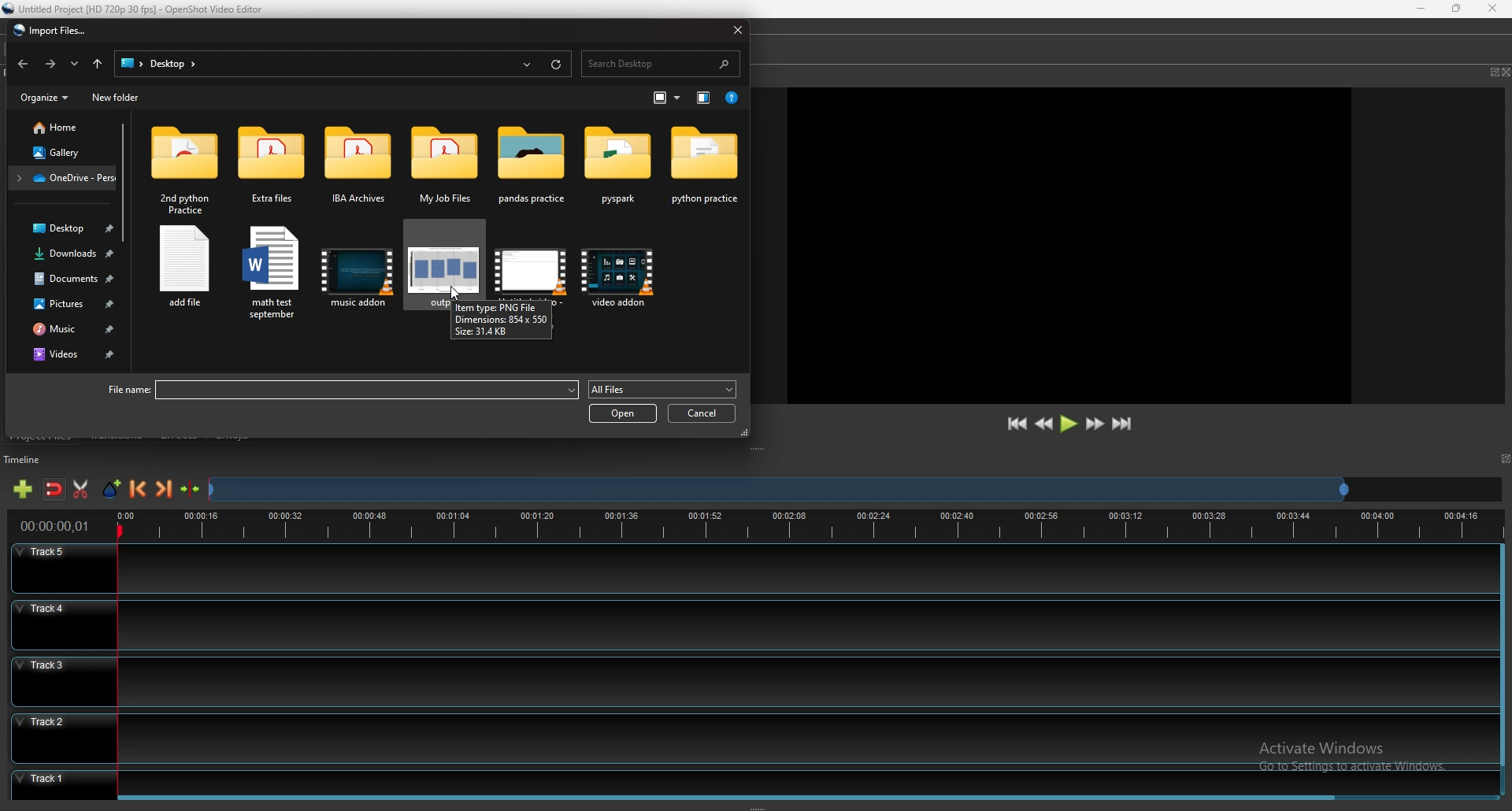 This screenshot has width=1512, height=811. Describe the element at coordinates (739, 802) in the screenshot. I see `scroll bar` at that location.